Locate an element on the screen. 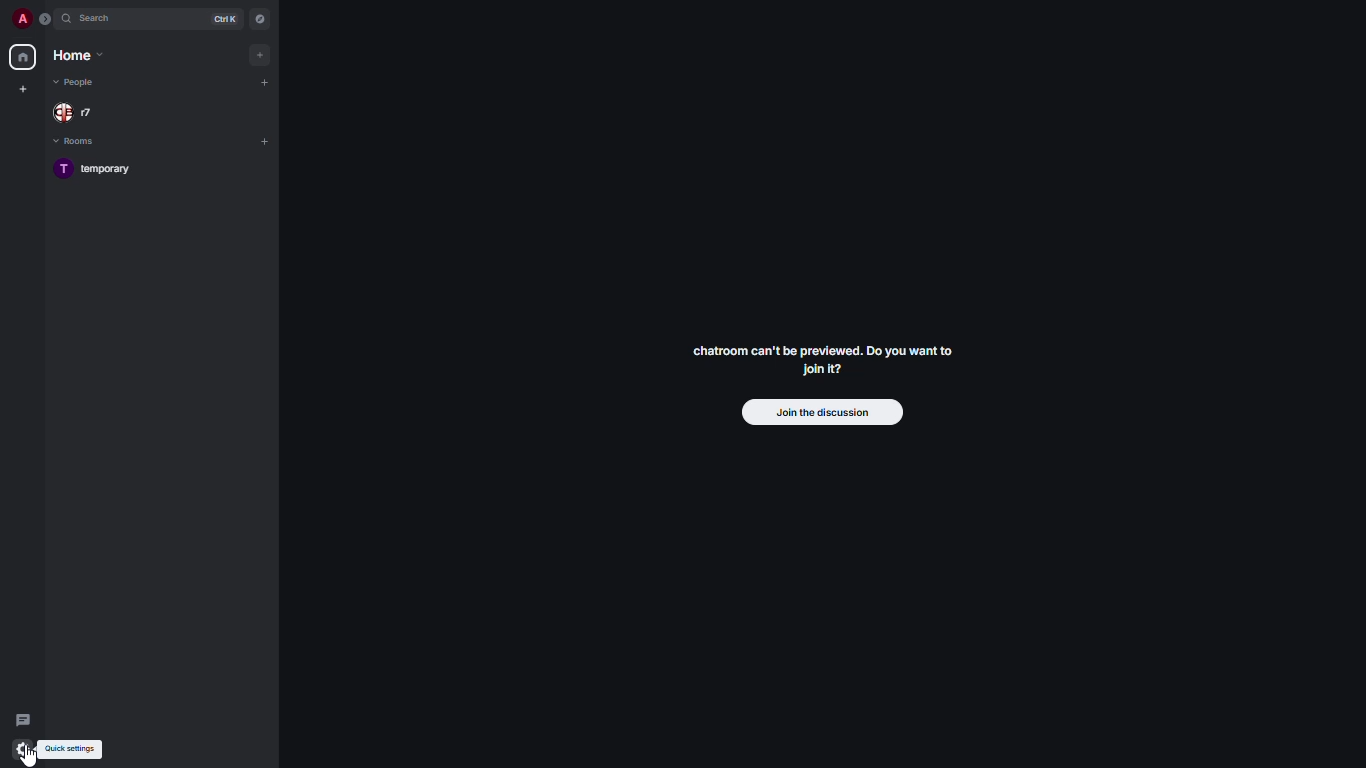 Image resolution: width=1366 pixels, height=768 pixels. create new space is located at coordinates (20, 89).